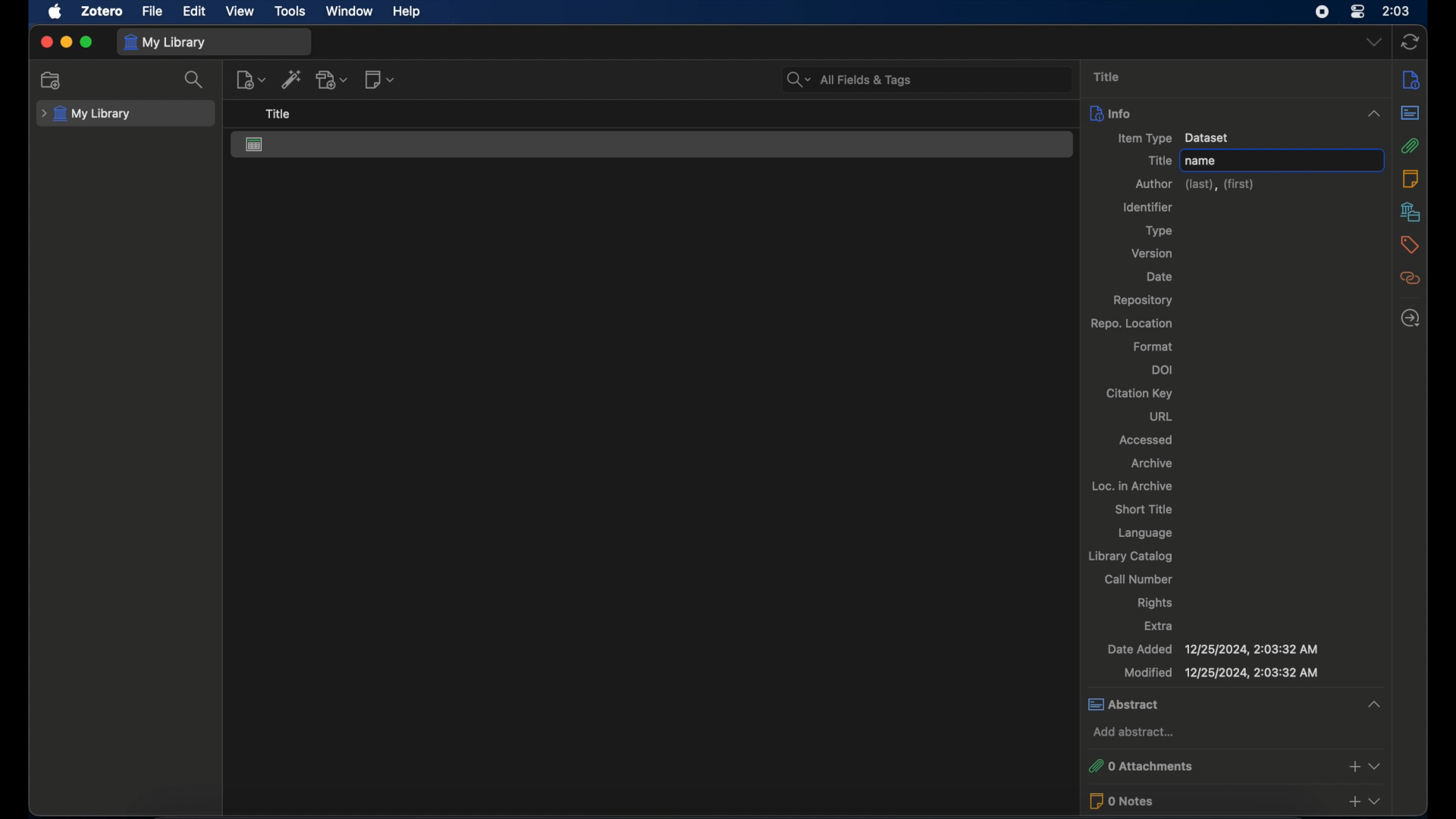 Image resolution: width=1456 pixels, height=819 pixels. Describe the element at coordinates (1411, 146) in the screenshot. I see `attachments` at that location.